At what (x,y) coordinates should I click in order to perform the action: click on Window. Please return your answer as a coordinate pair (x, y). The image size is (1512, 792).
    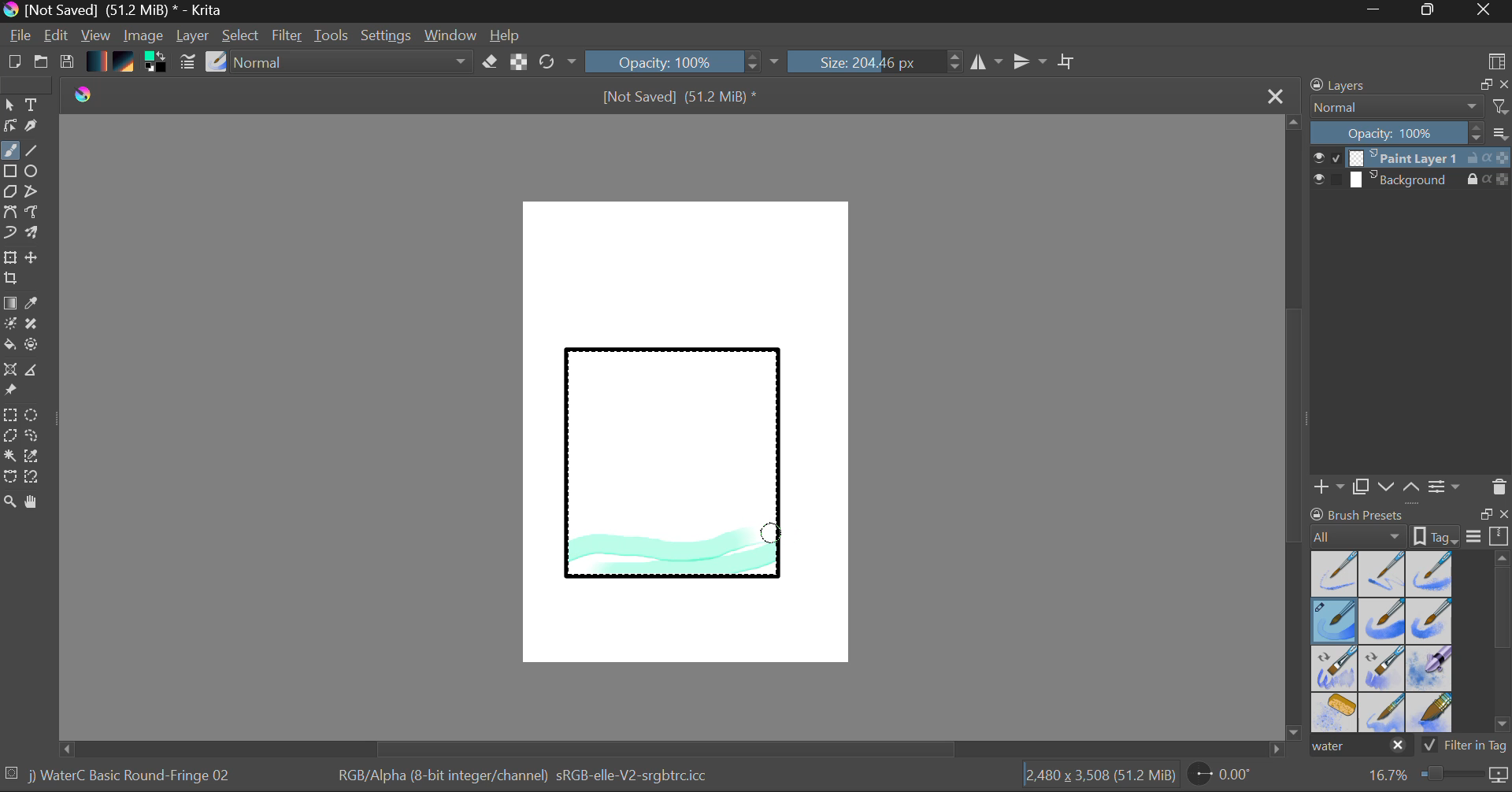
    Looking at the image, I should click on (453, 35).